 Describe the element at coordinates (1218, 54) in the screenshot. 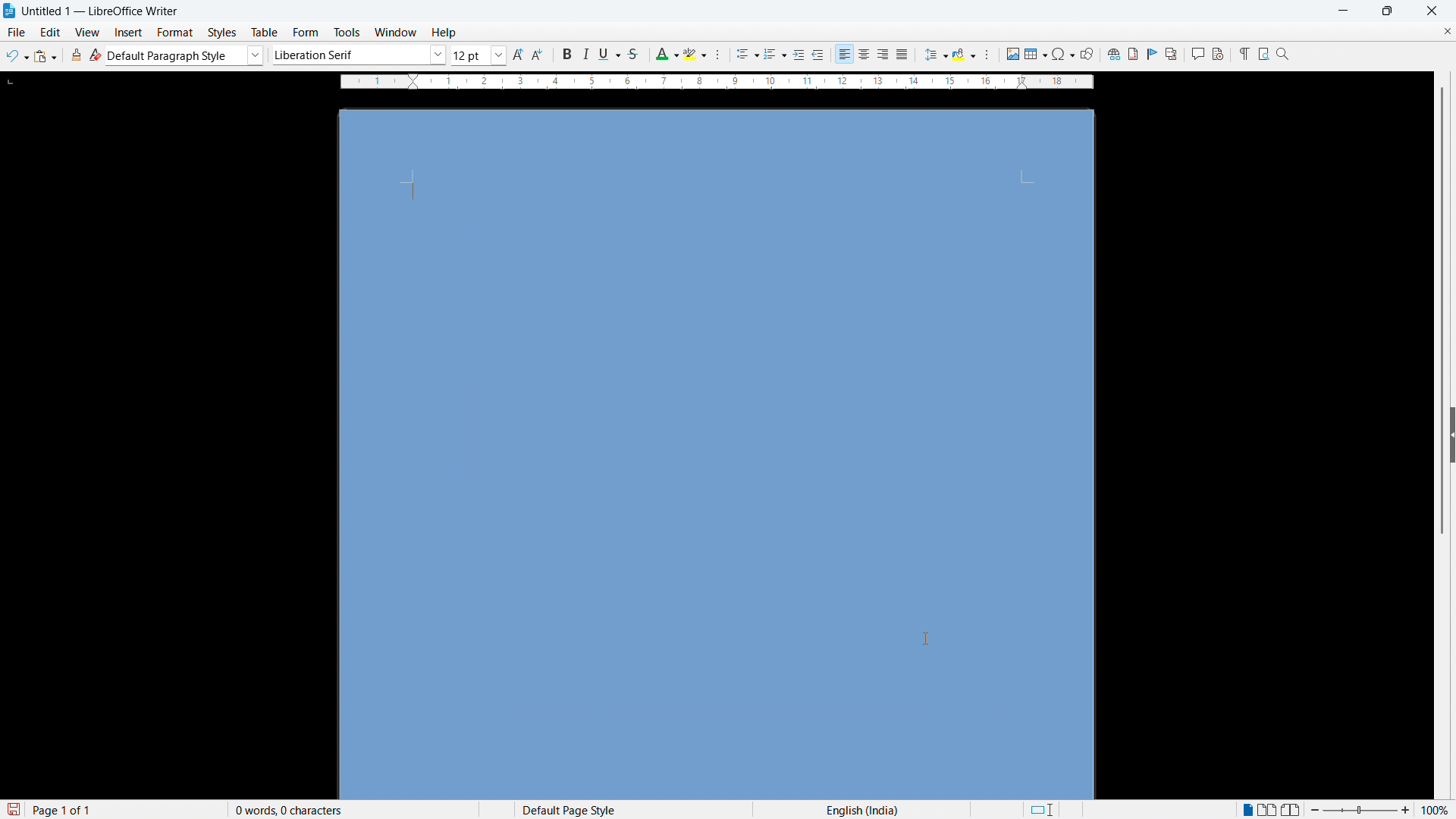

I see `Record track changes ` at that location.